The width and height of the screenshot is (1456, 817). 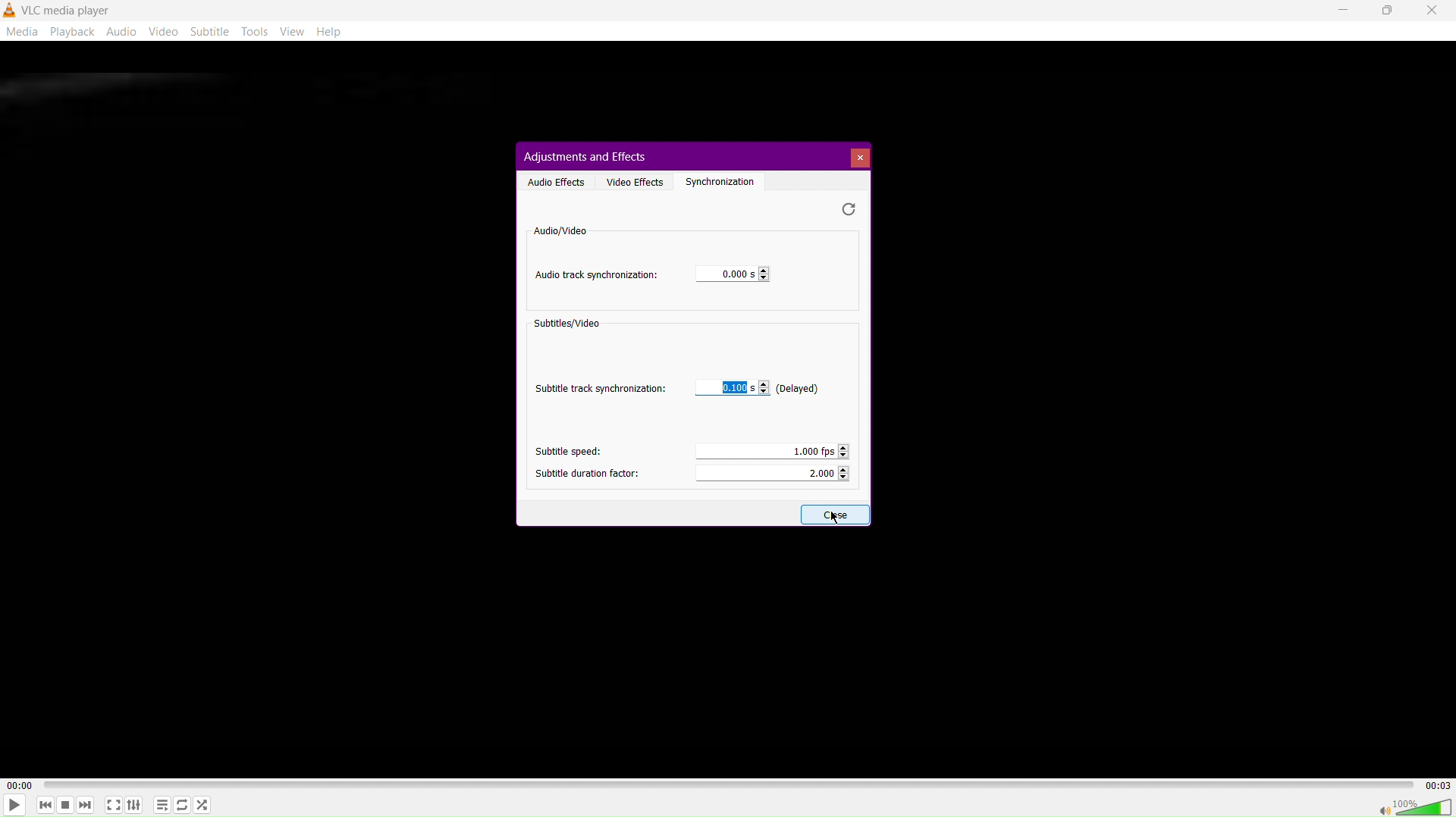 What do you see at coordinates (559, 230) in the screenshot?
I see `Audio/Video` at bounding box center [559, 230].